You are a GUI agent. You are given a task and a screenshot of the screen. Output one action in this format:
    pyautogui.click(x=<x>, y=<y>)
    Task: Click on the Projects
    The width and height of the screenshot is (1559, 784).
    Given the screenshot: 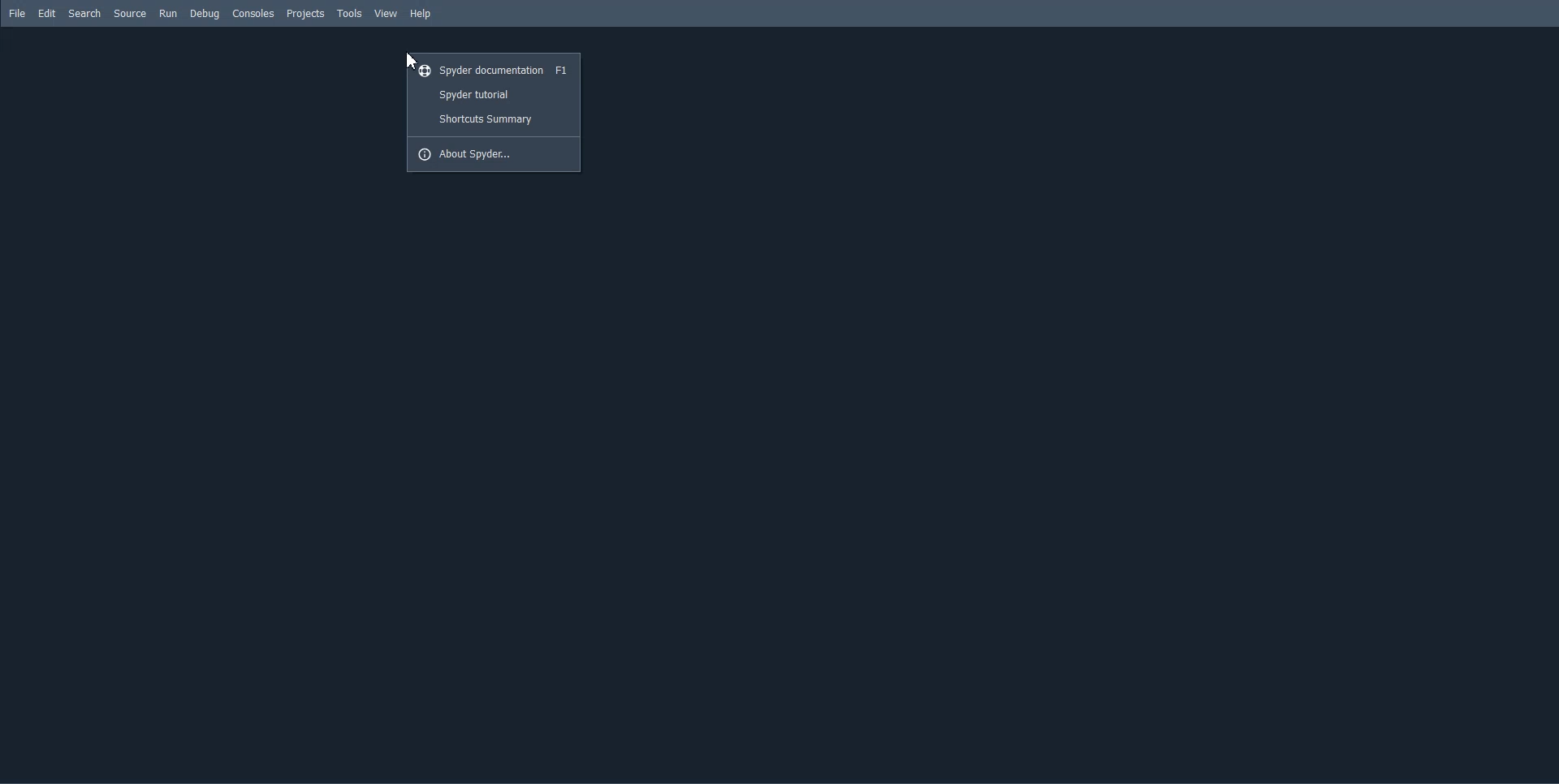 What is the action you would take?
    pyautogui.click(x=306, y=13)
    